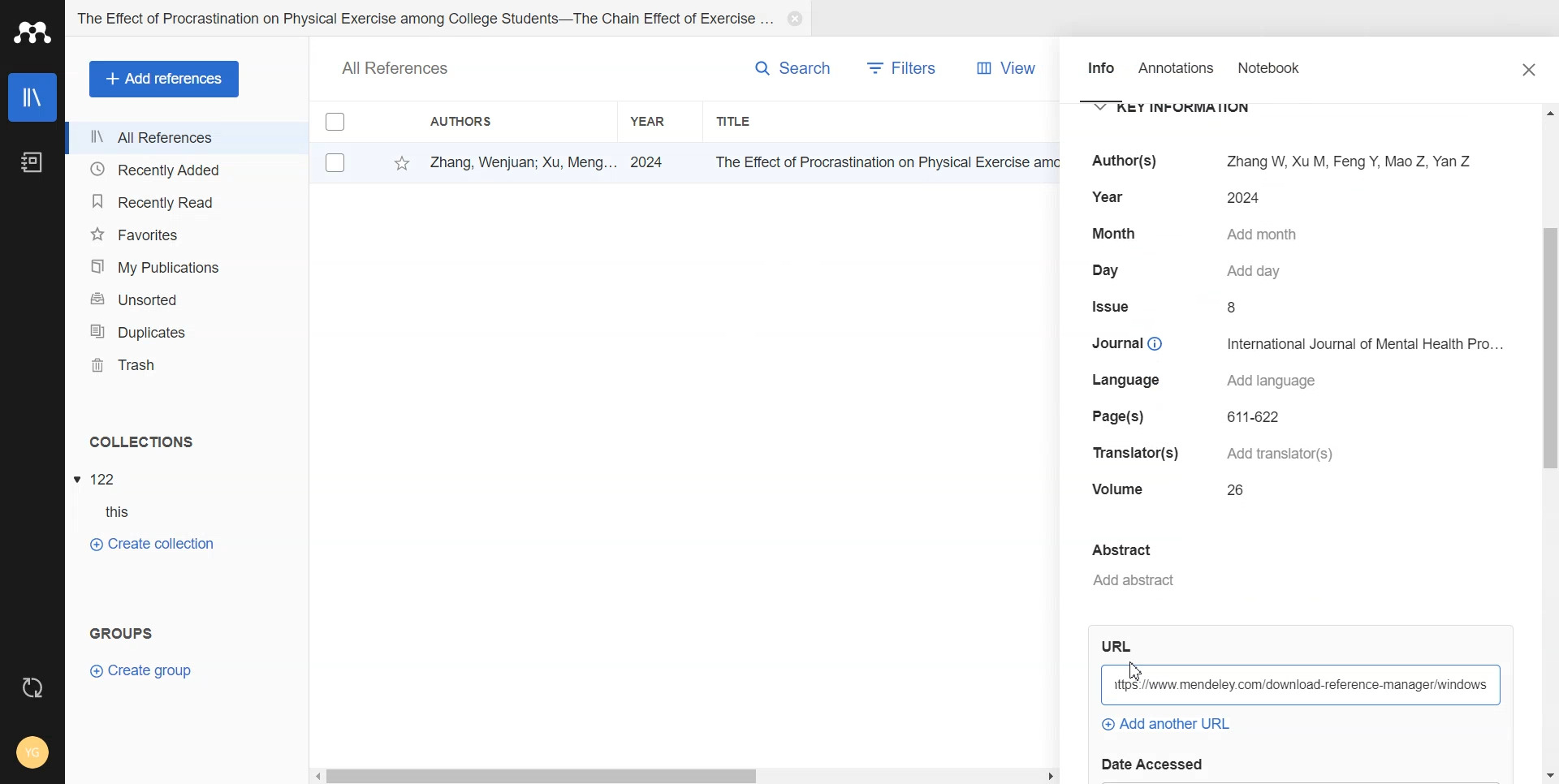 The height and width of the screenshot is (784, 1559). Describe the element at coordinates (1210, 381) in the screenshot. I see `Language Add language` at that location.